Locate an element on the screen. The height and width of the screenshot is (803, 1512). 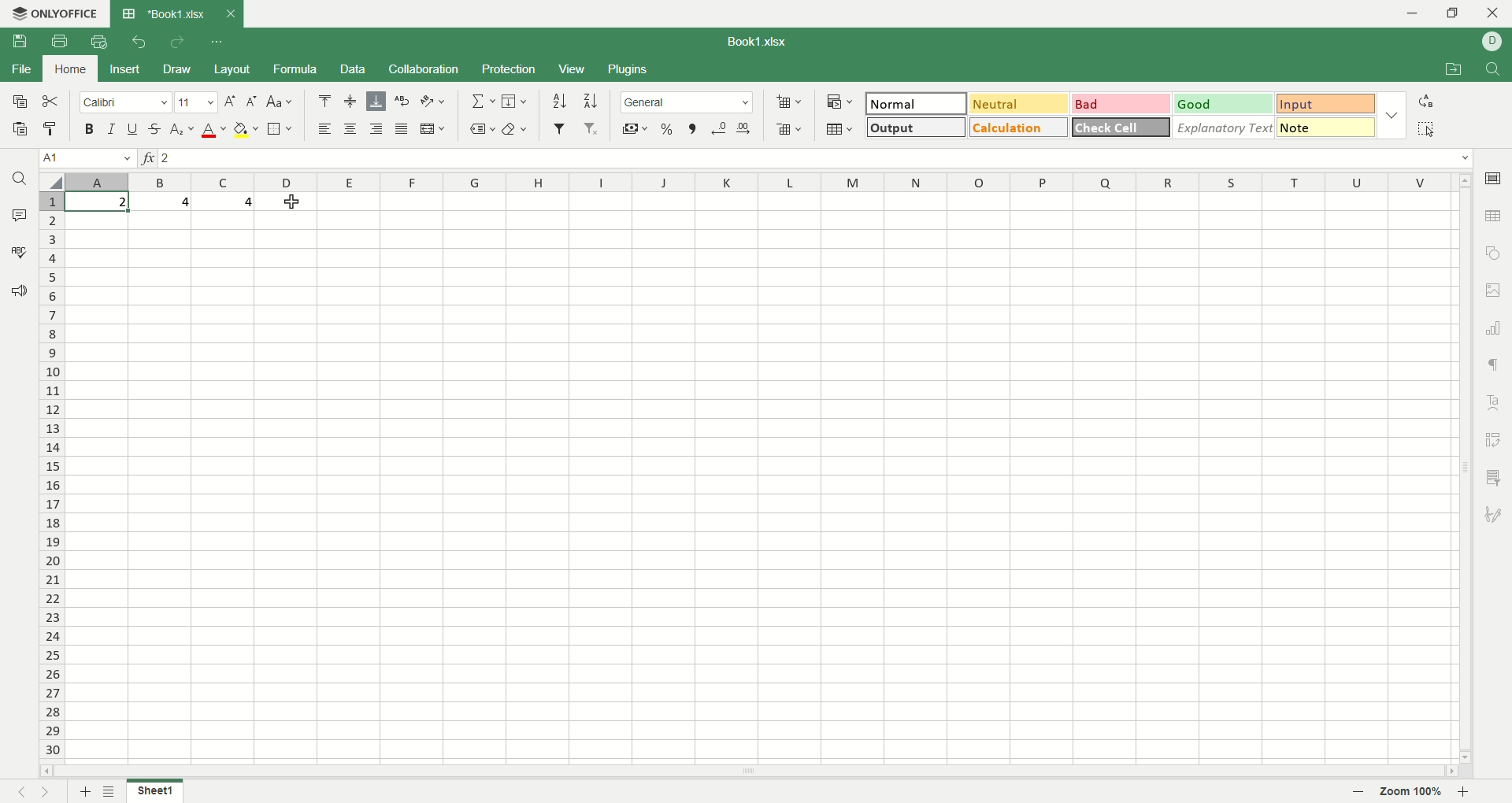
home is located at coordinates (68, 68).